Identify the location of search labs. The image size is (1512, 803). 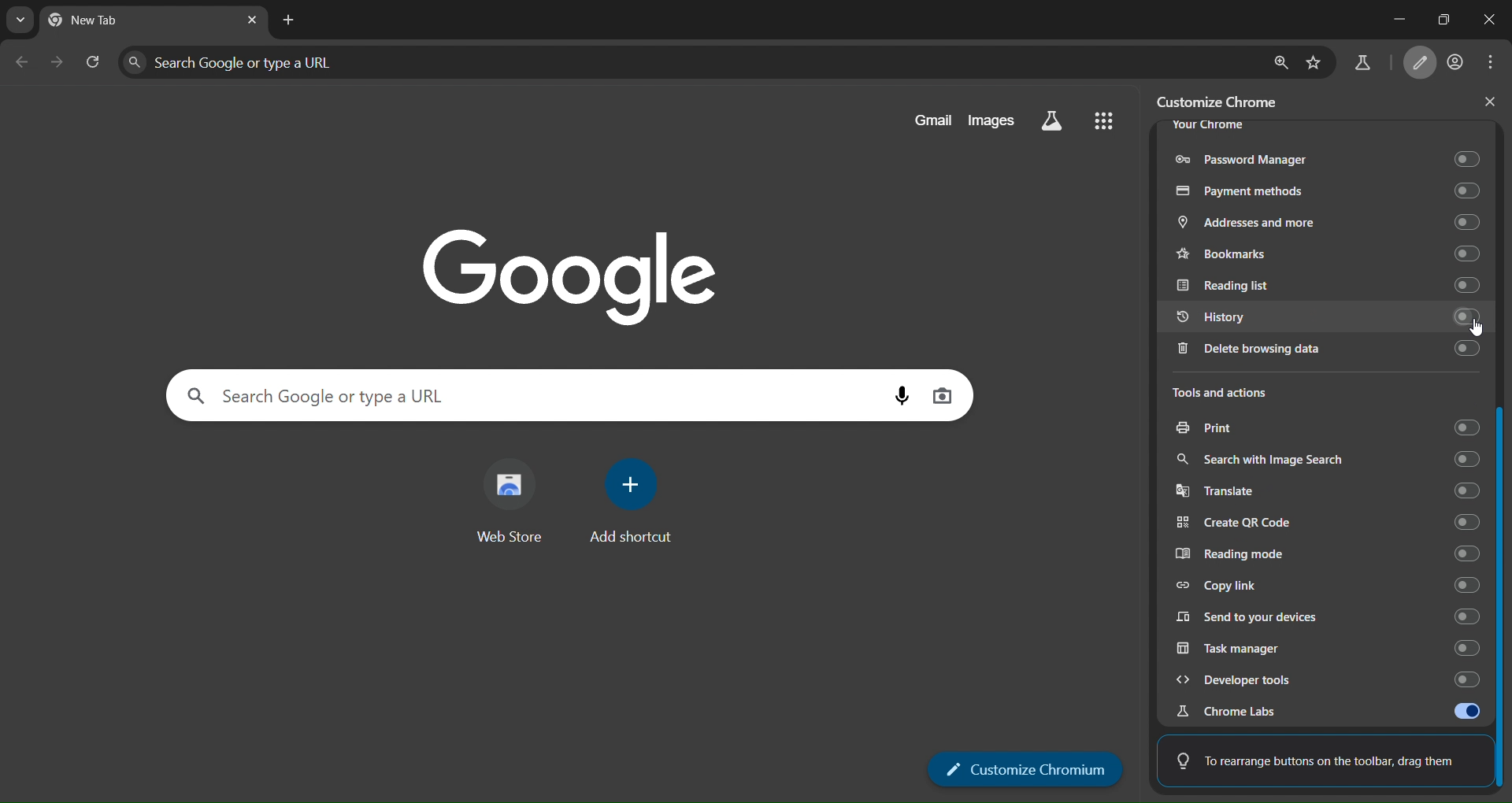
(1362, 66).